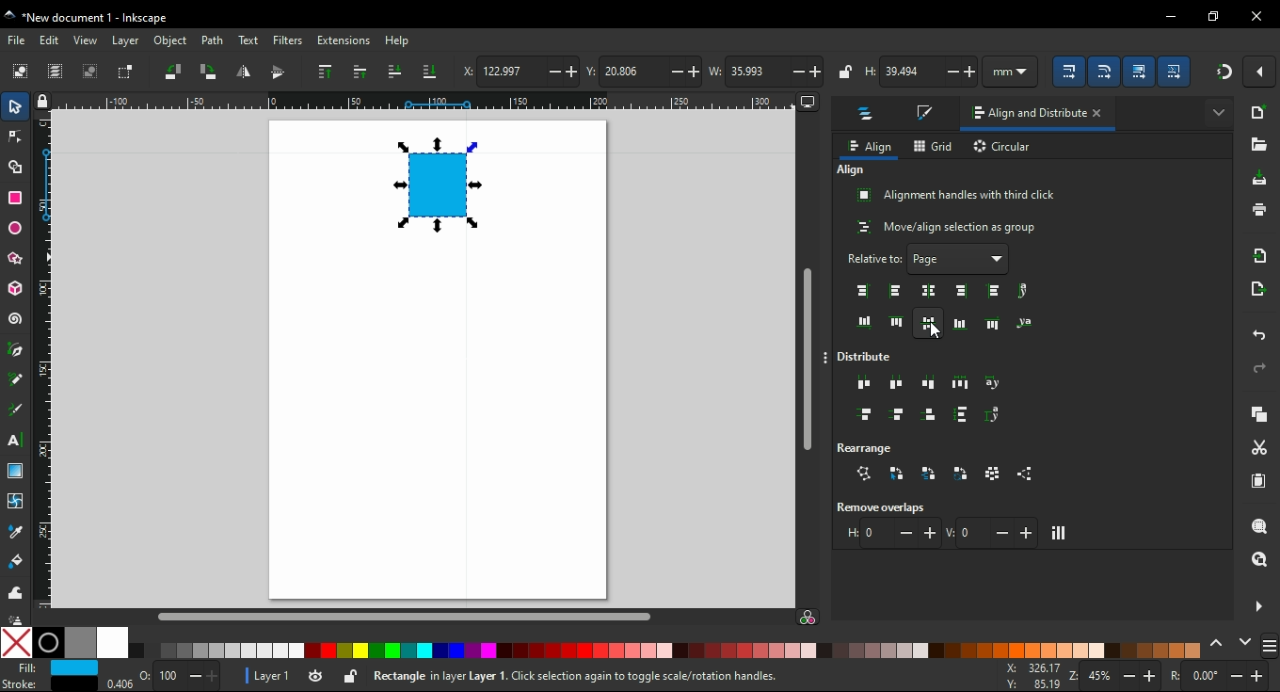 This screenshot has height=692, width=1280. I want to click on spiral tool, so click(15, 319).